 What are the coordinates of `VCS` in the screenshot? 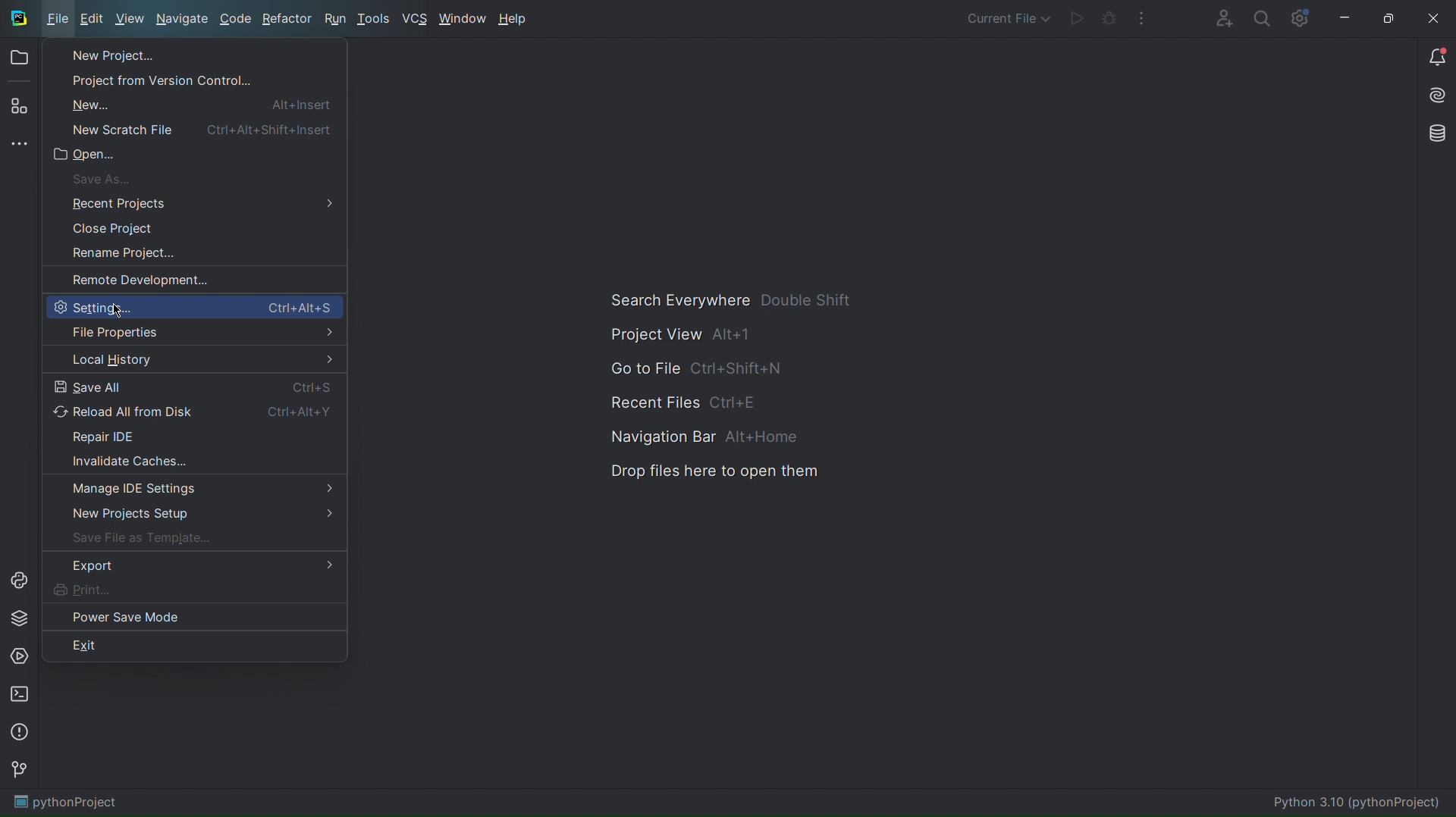 It's located at (414, 19).